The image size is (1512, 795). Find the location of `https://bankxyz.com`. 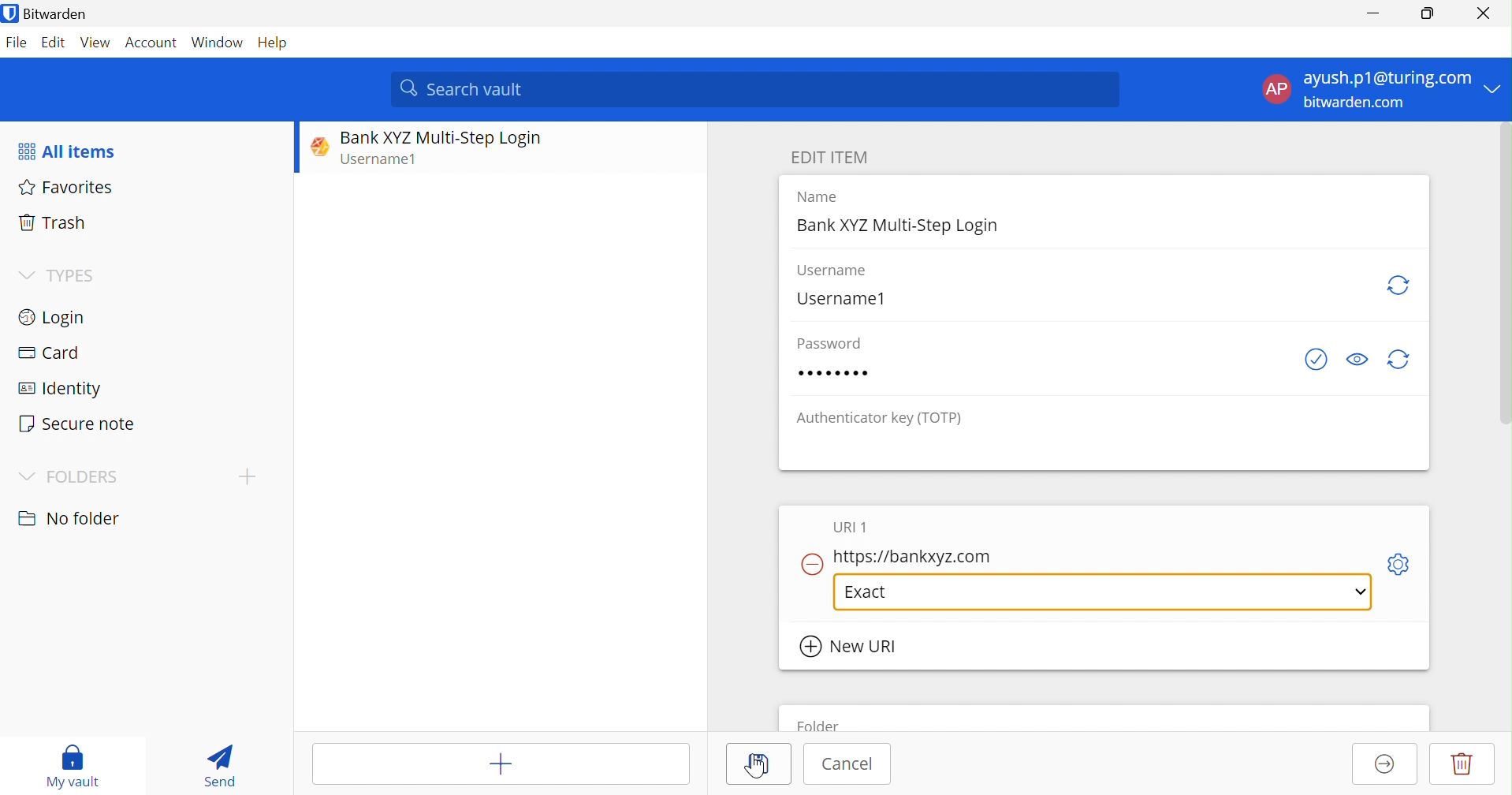

https://bankxyz.com is located at coordinates (916, 557).